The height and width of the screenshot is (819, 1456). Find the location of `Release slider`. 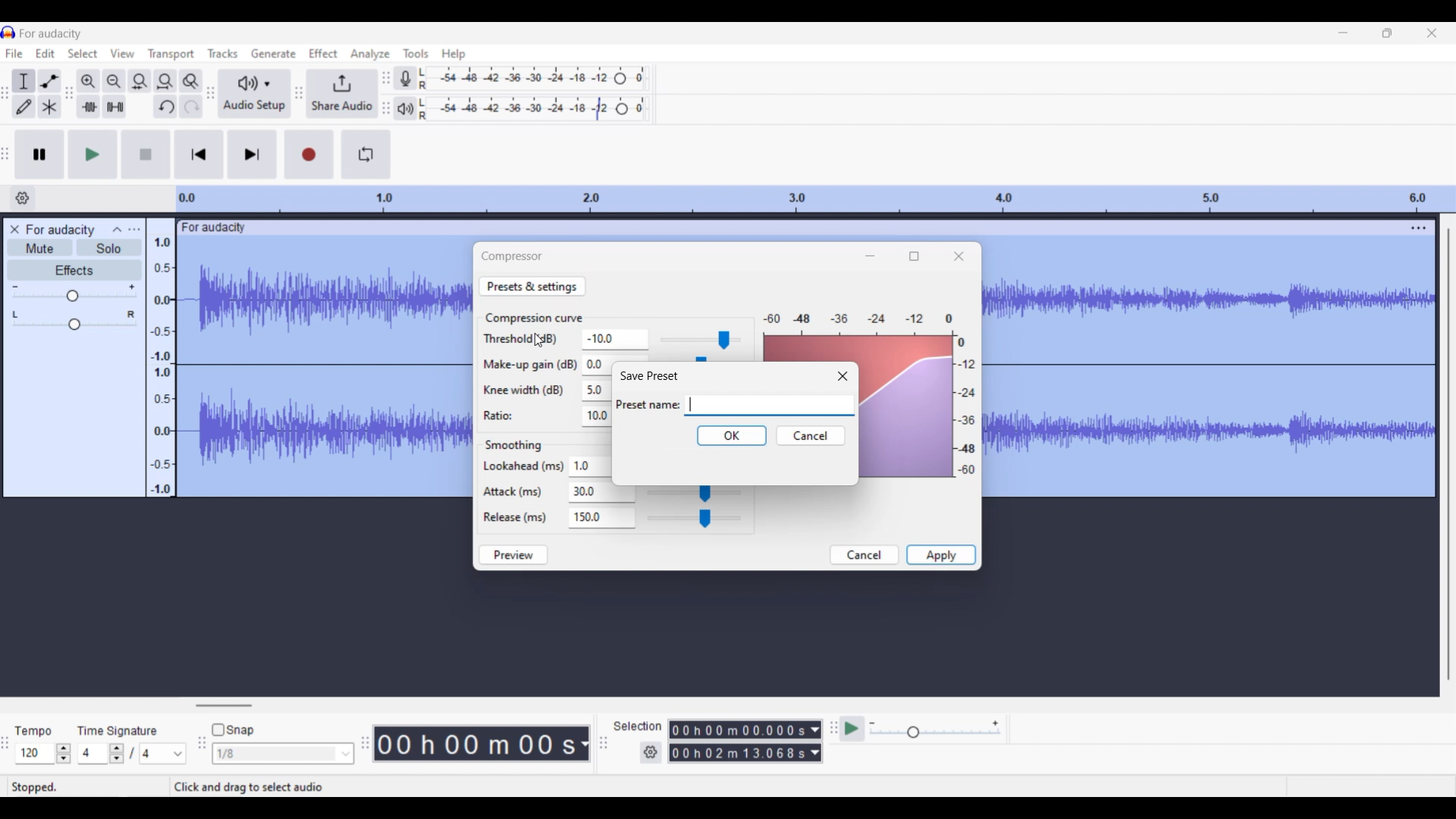

Release slider is located at coordinates (695, 518).